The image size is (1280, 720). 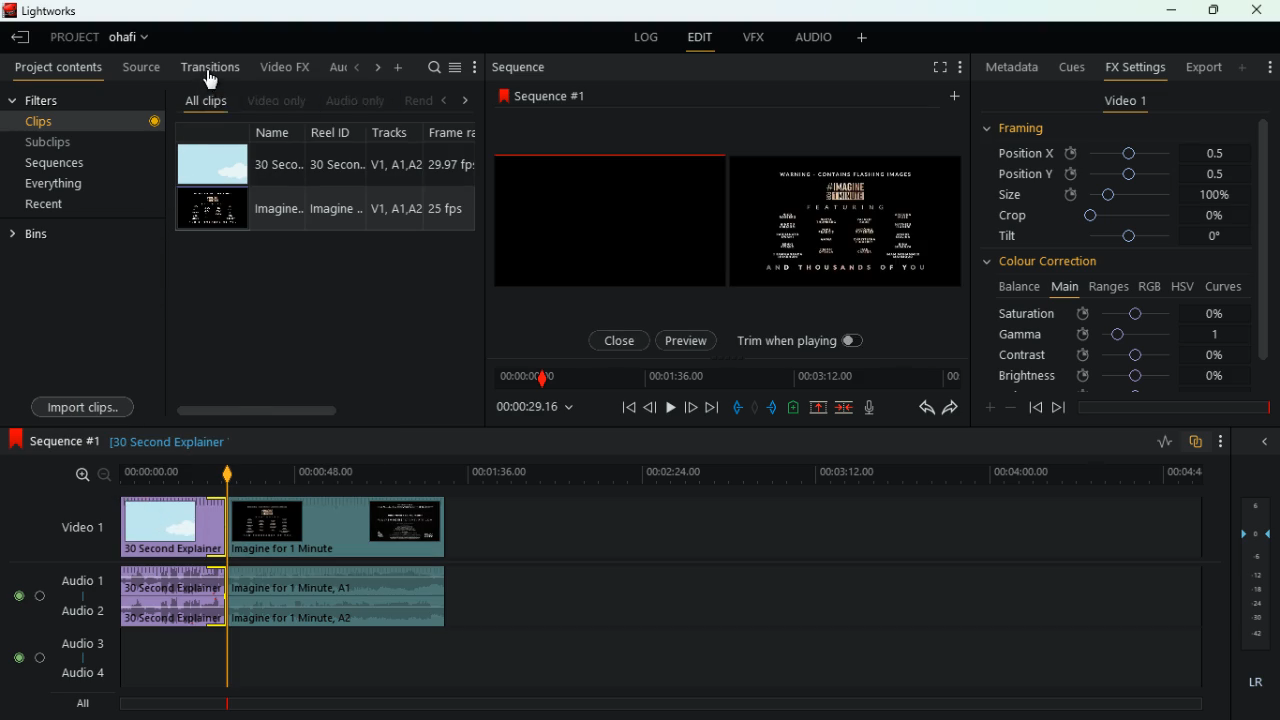 What do you see at coordinates (1064, 285) in the screenshot?
I see `main` at bounding box center [1064, 285].